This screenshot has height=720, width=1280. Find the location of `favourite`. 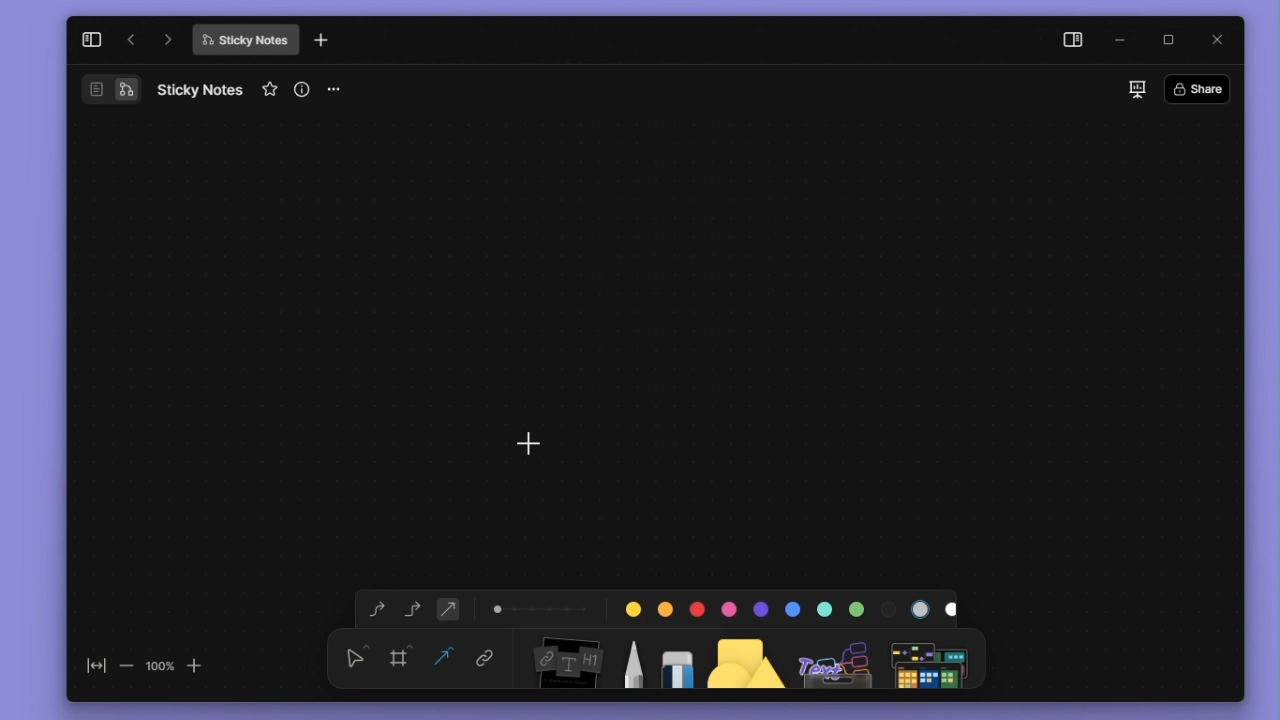

favourite is located at coordinates (272, 90).